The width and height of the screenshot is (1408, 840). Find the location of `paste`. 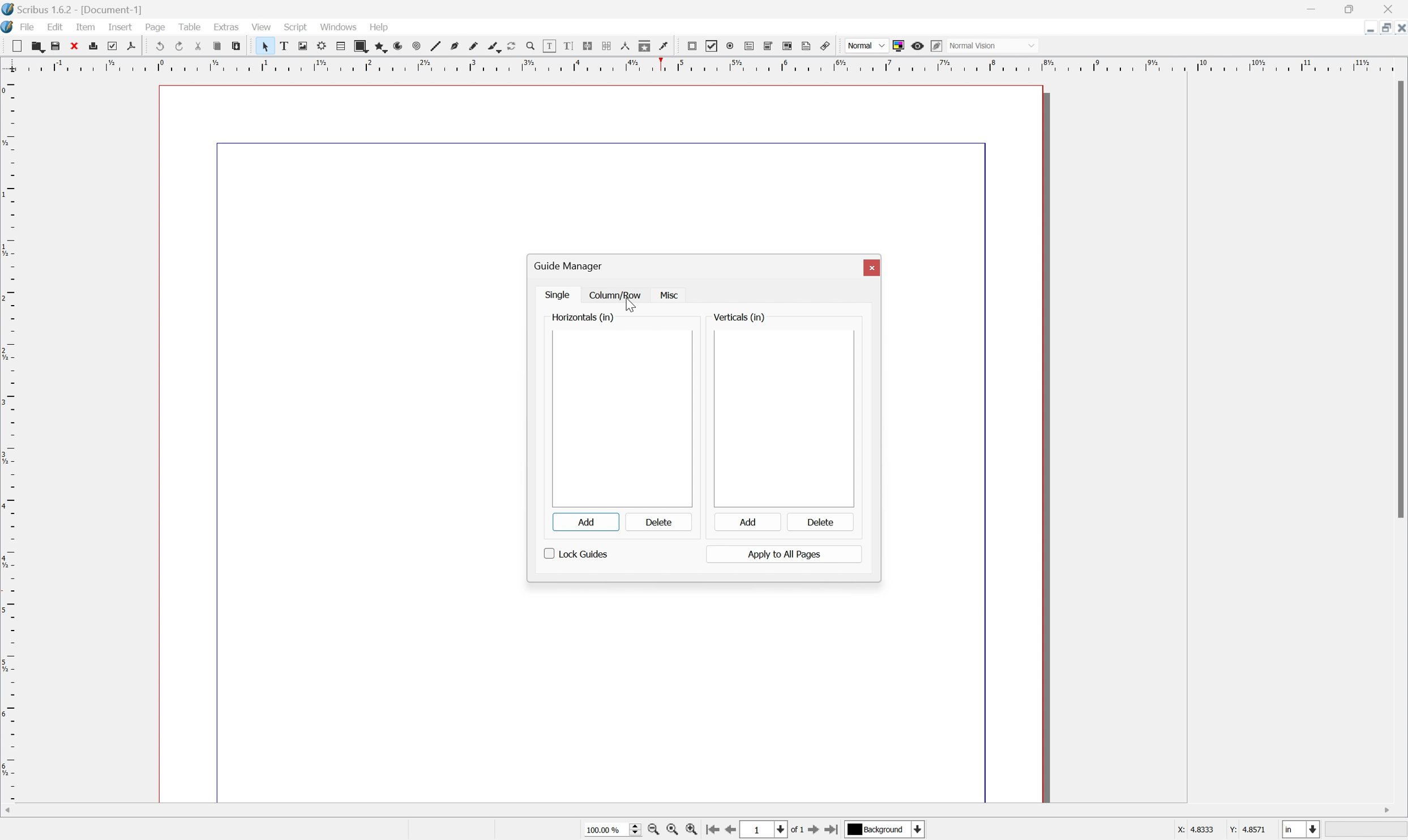

paste is located at coordinates (237, 46).